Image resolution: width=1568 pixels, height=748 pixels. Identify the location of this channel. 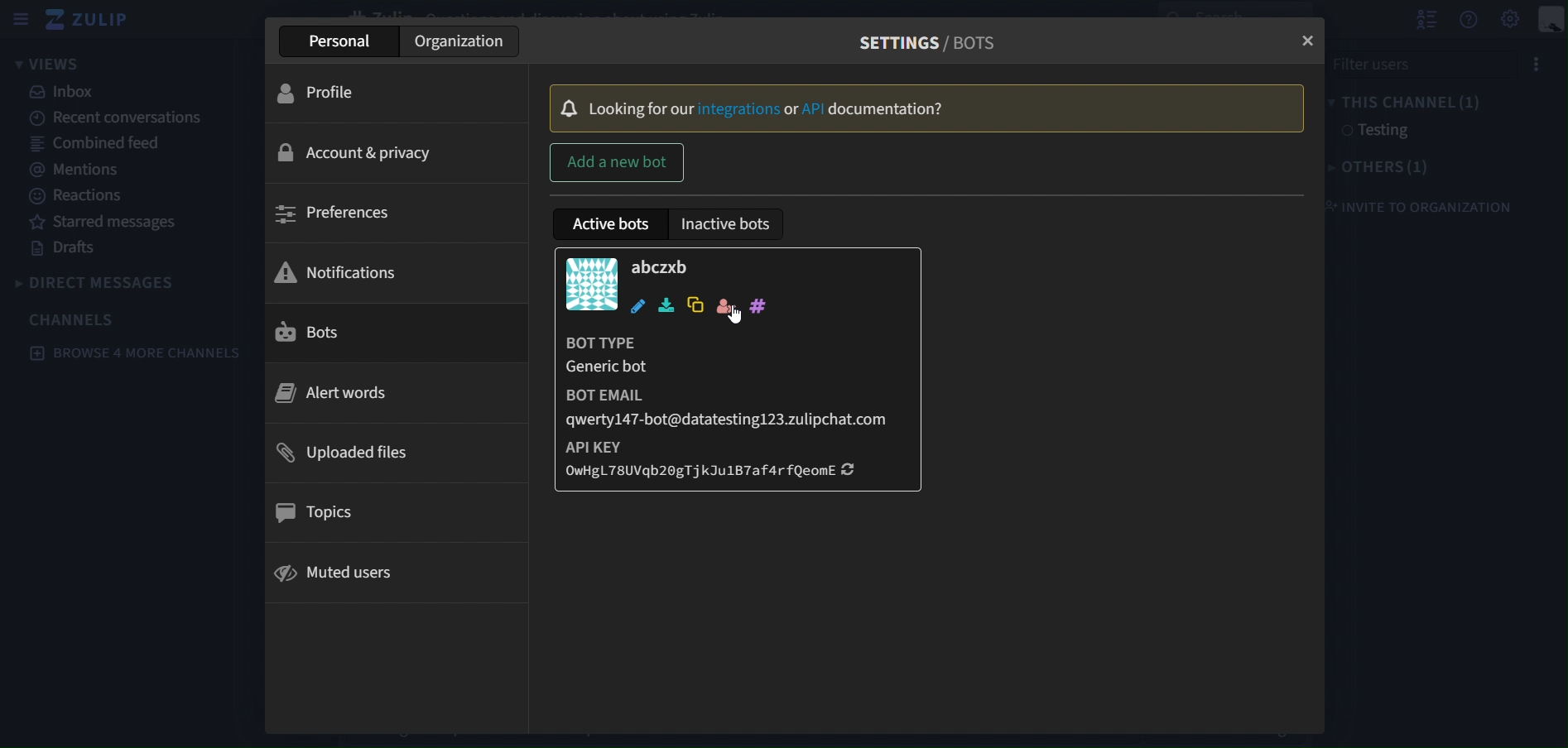
(1412, 102).